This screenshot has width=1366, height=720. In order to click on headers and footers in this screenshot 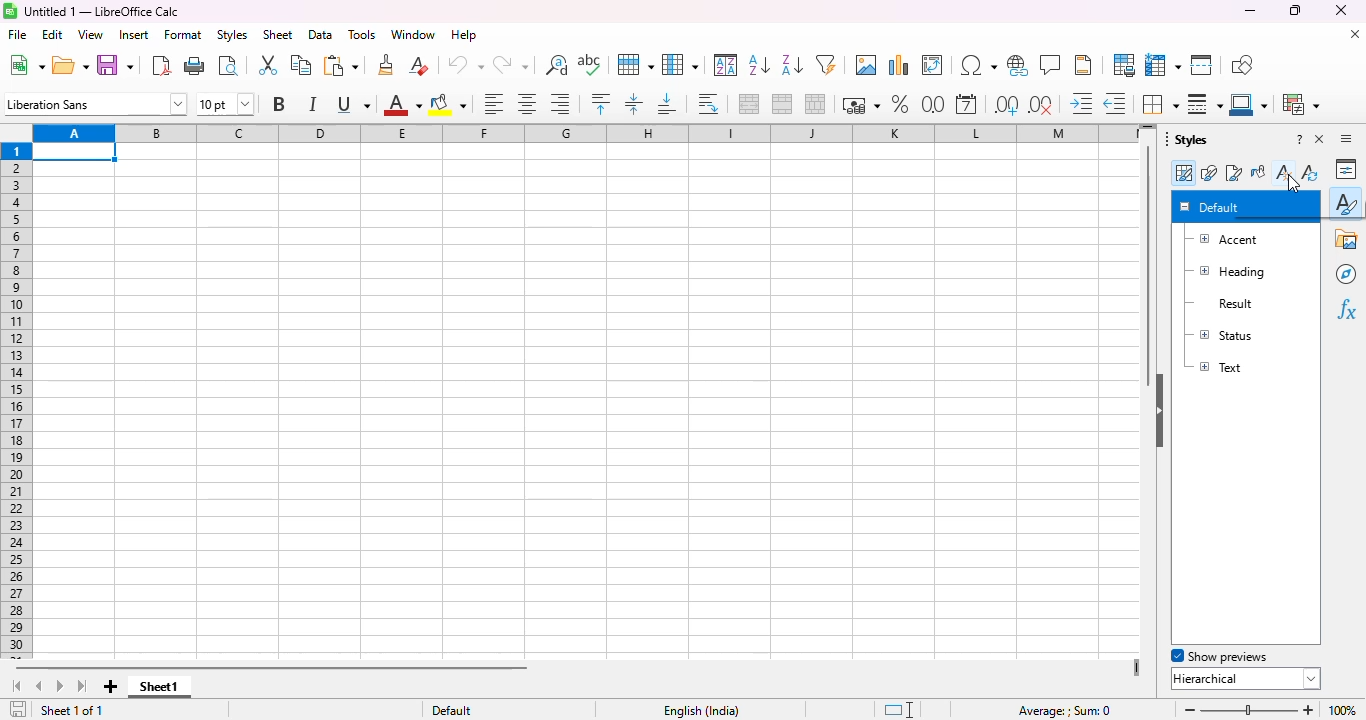, I will do `click(1083, 65)`.